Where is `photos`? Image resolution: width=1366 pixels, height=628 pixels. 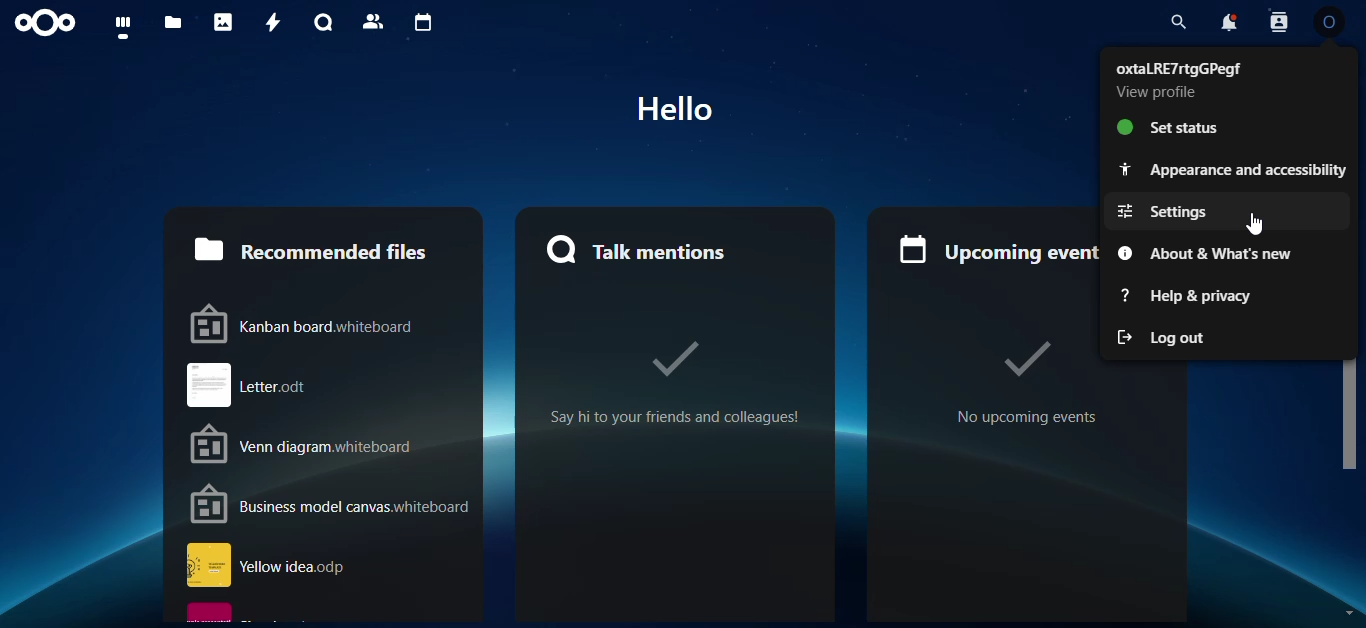
photos is located at coordinates (221, 22).